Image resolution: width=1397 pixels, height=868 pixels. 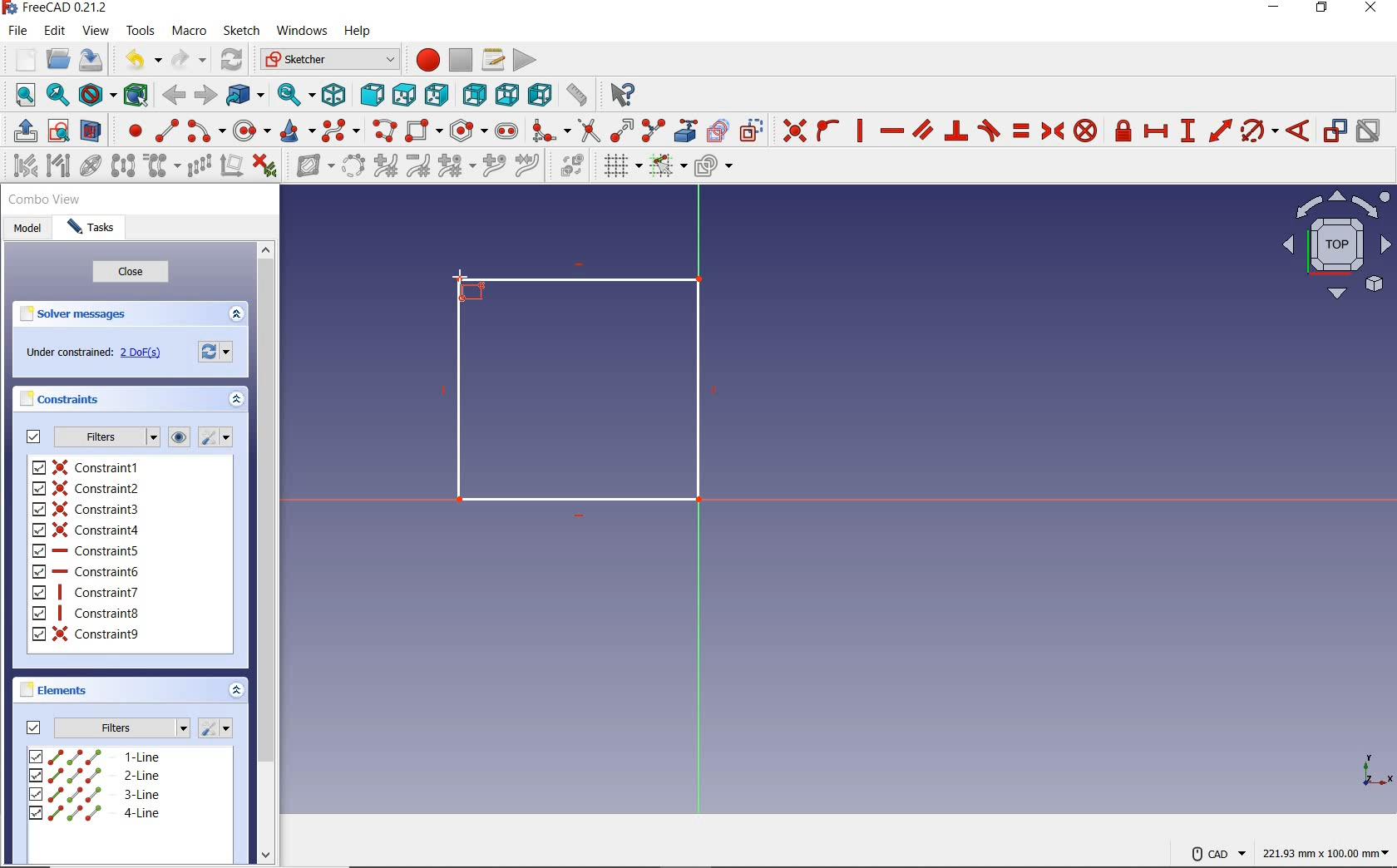 What do you see at coordinates (1369, 131) in the screenshot?
I see `activate or deactivate constraint` at bounding box center [1369, 131].